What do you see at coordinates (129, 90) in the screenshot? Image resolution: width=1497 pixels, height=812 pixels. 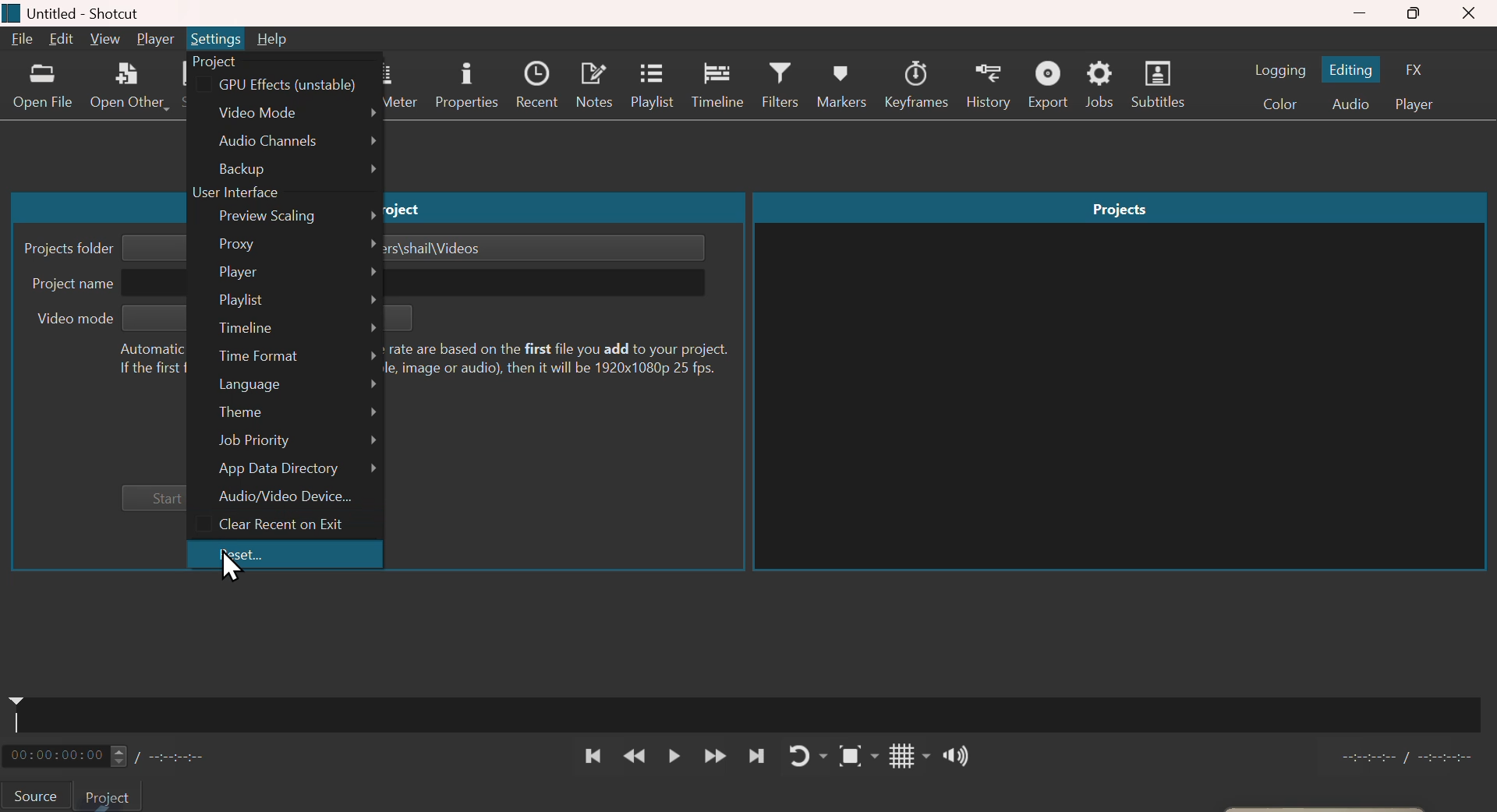 I see `Open another` at bounding box center [129, 90].